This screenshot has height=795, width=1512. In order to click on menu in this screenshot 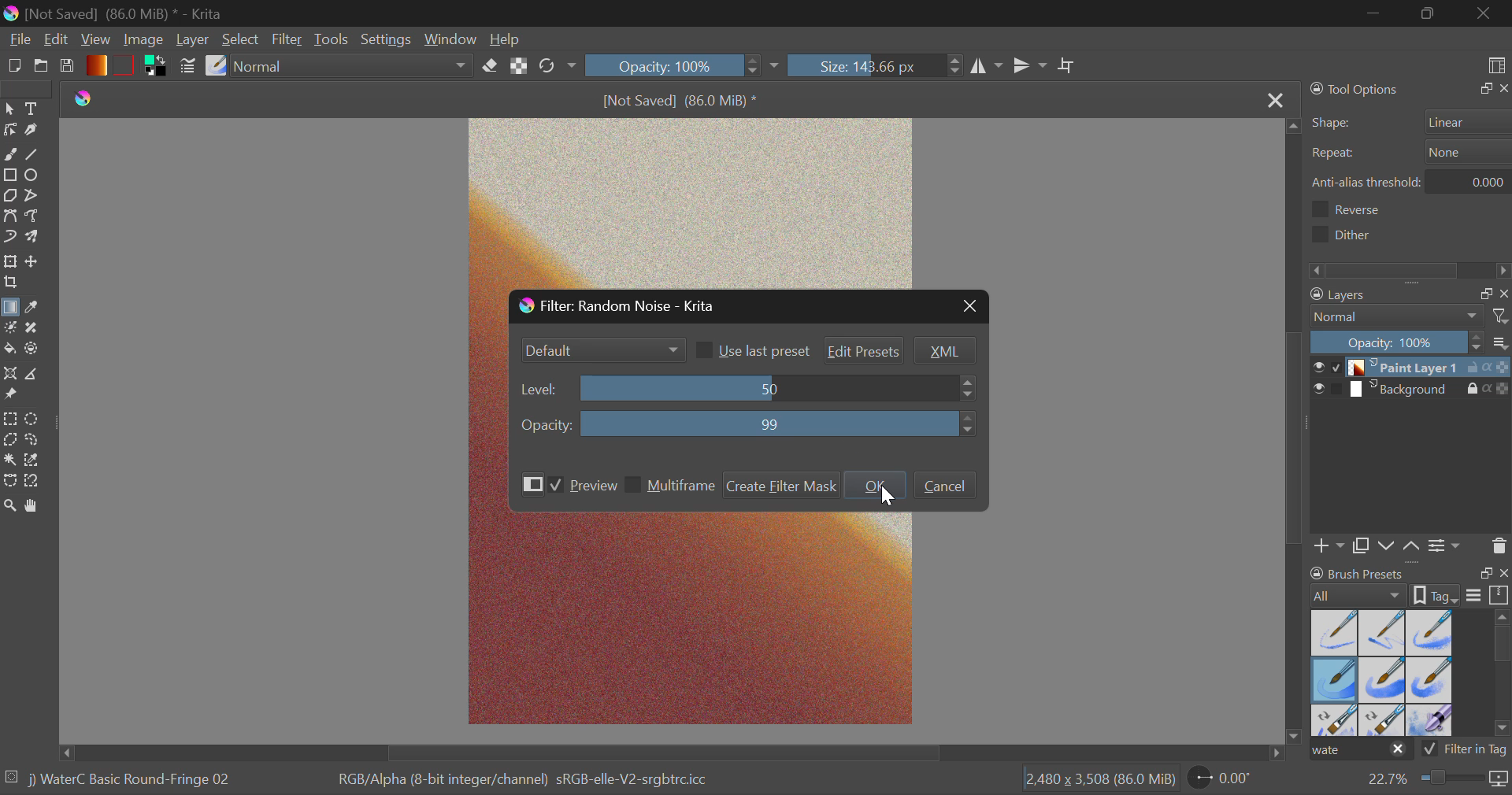, I will do `click(1474, 597)`.